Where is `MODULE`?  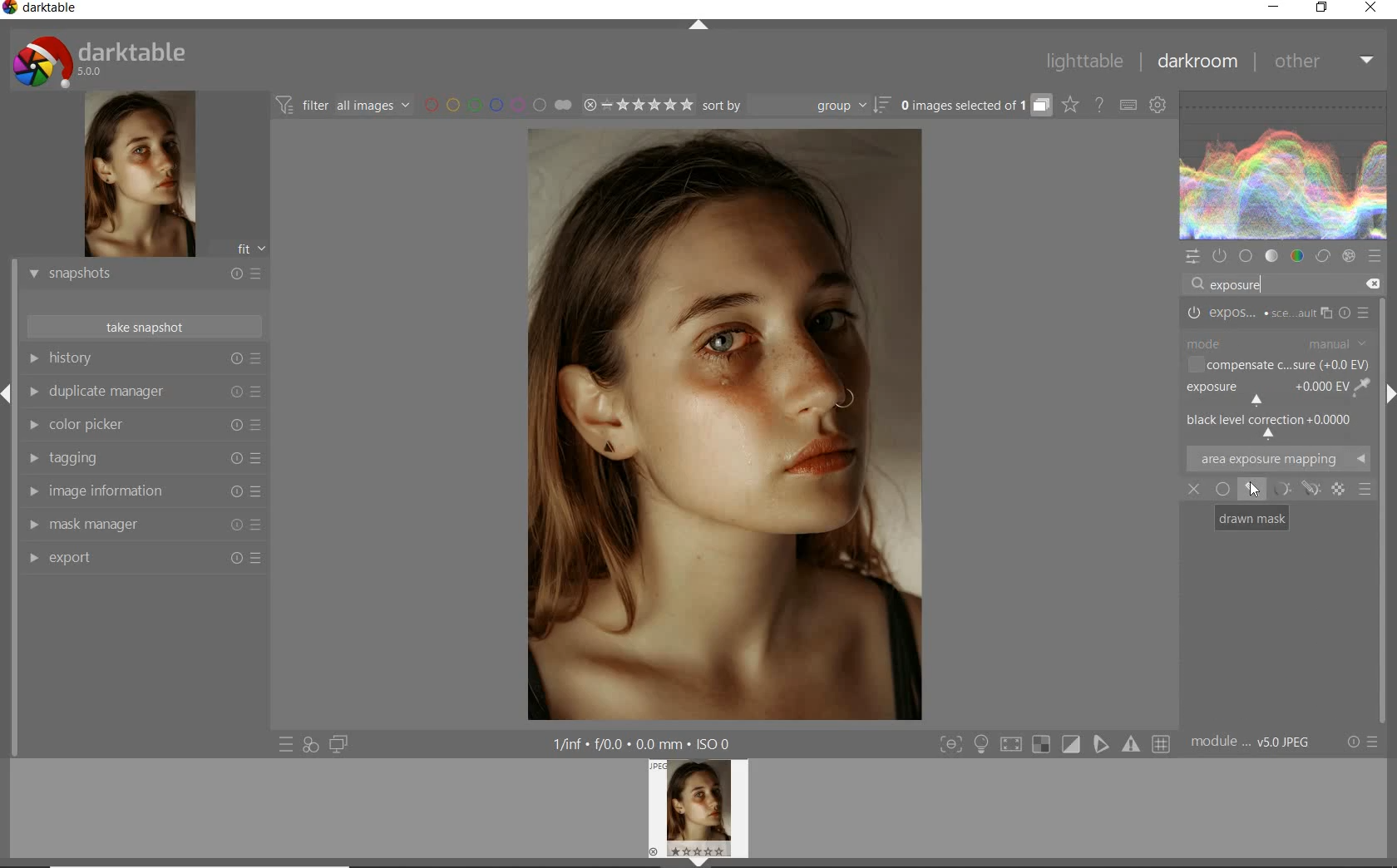 MODULE is located at coordinates (1276, 343).